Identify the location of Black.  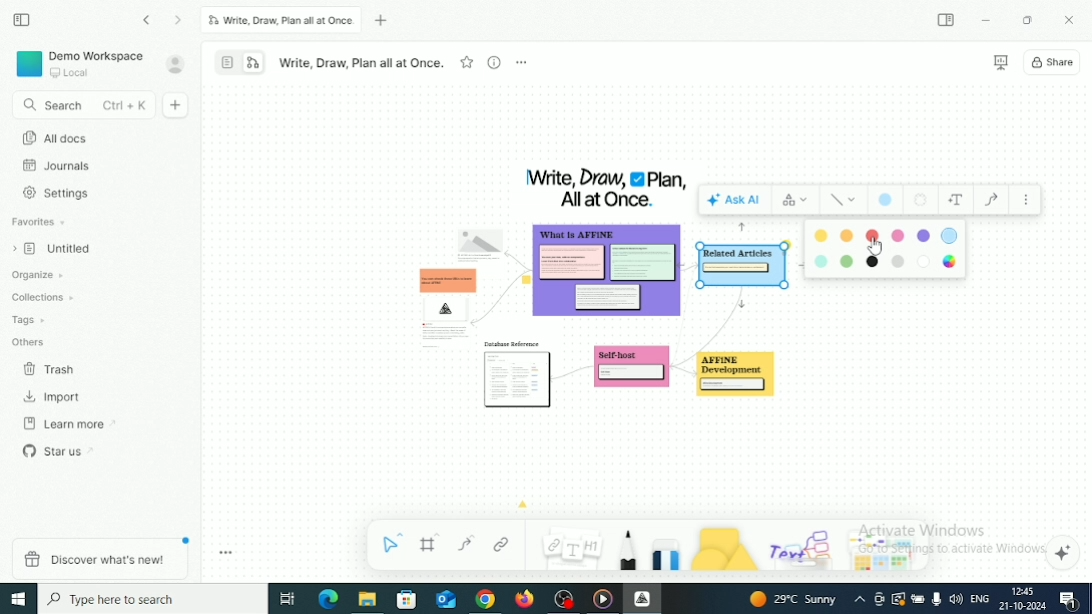
(871, 263).